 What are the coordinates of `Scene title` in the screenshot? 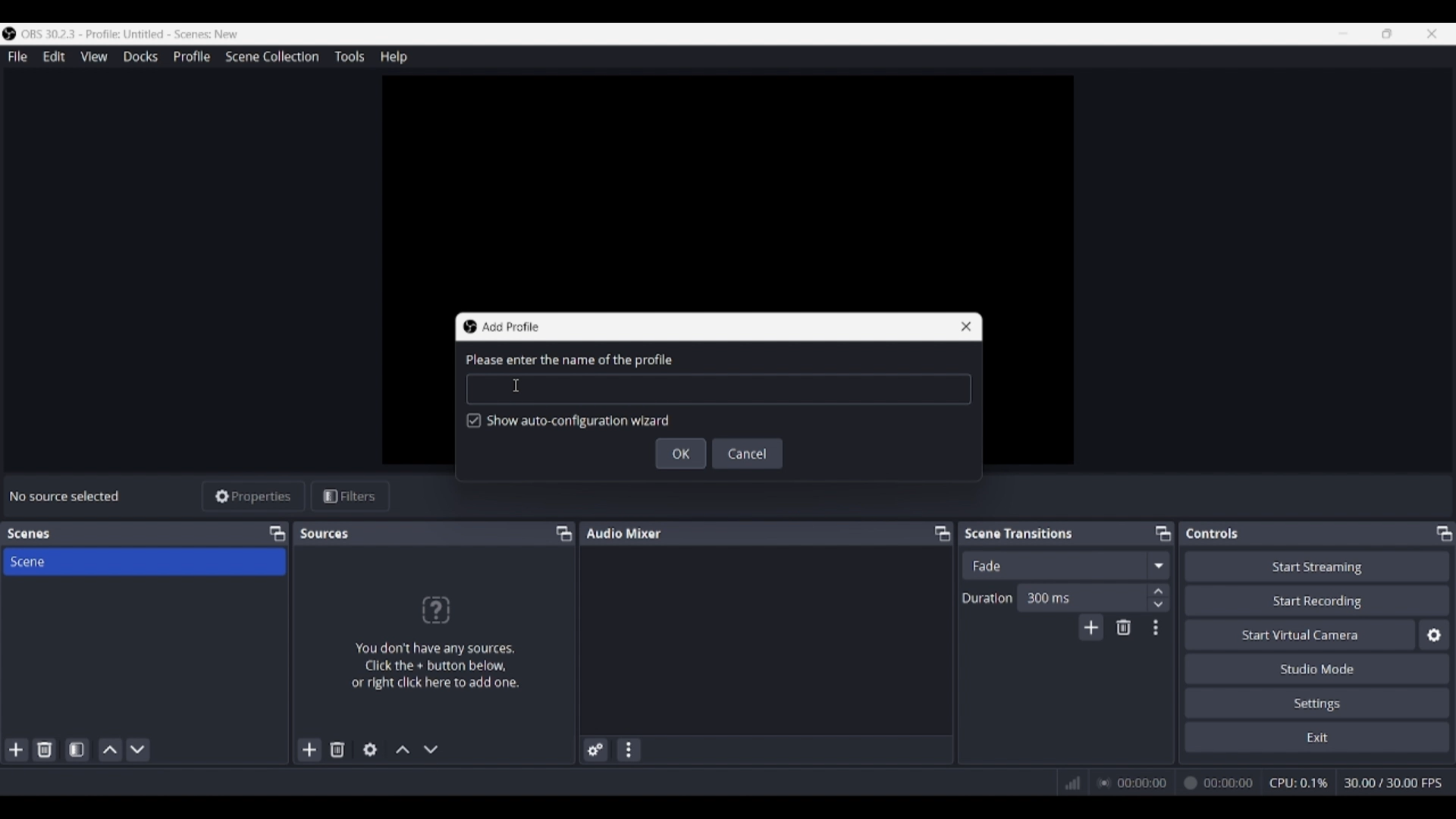 It's located at (144, 561).